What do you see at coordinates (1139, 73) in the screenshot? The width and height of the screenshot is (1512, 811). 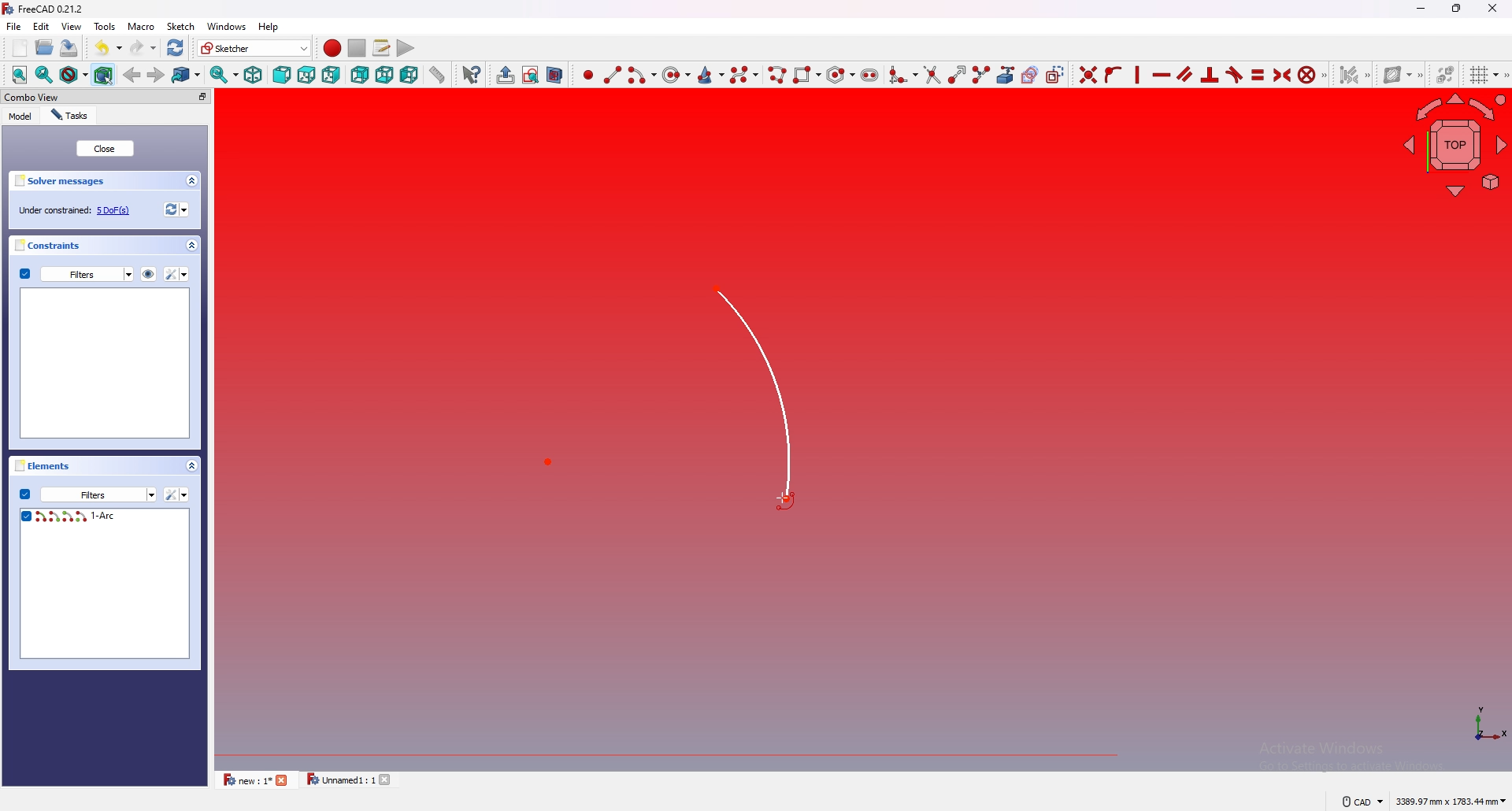 I see `constraint vertically` at bounding box center [1139, 73].